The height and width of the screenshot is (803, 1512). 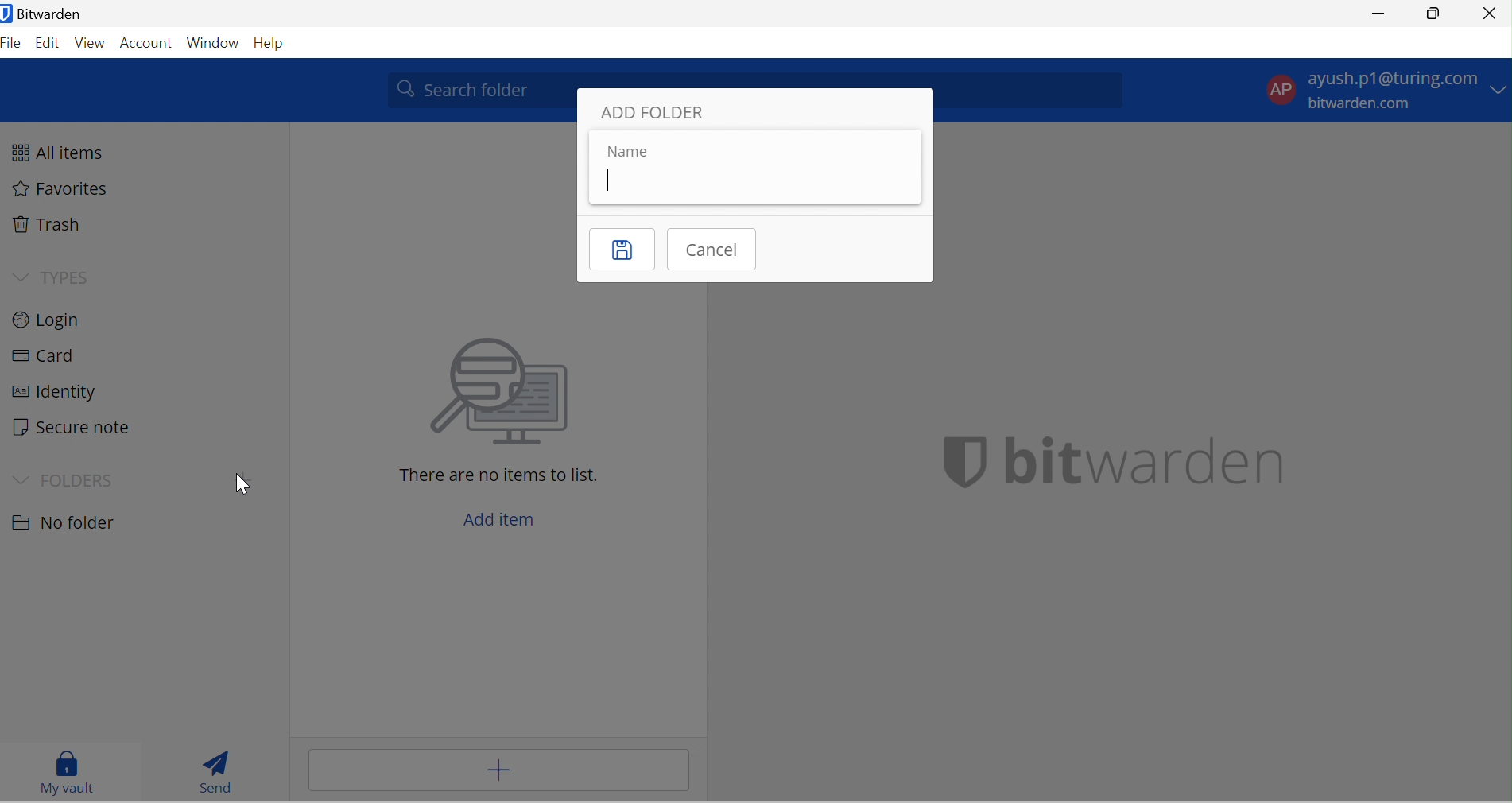 What do you see at coordinates (54, 321) in the screenshot?
I see `Login` at bounding box center [54, 321].